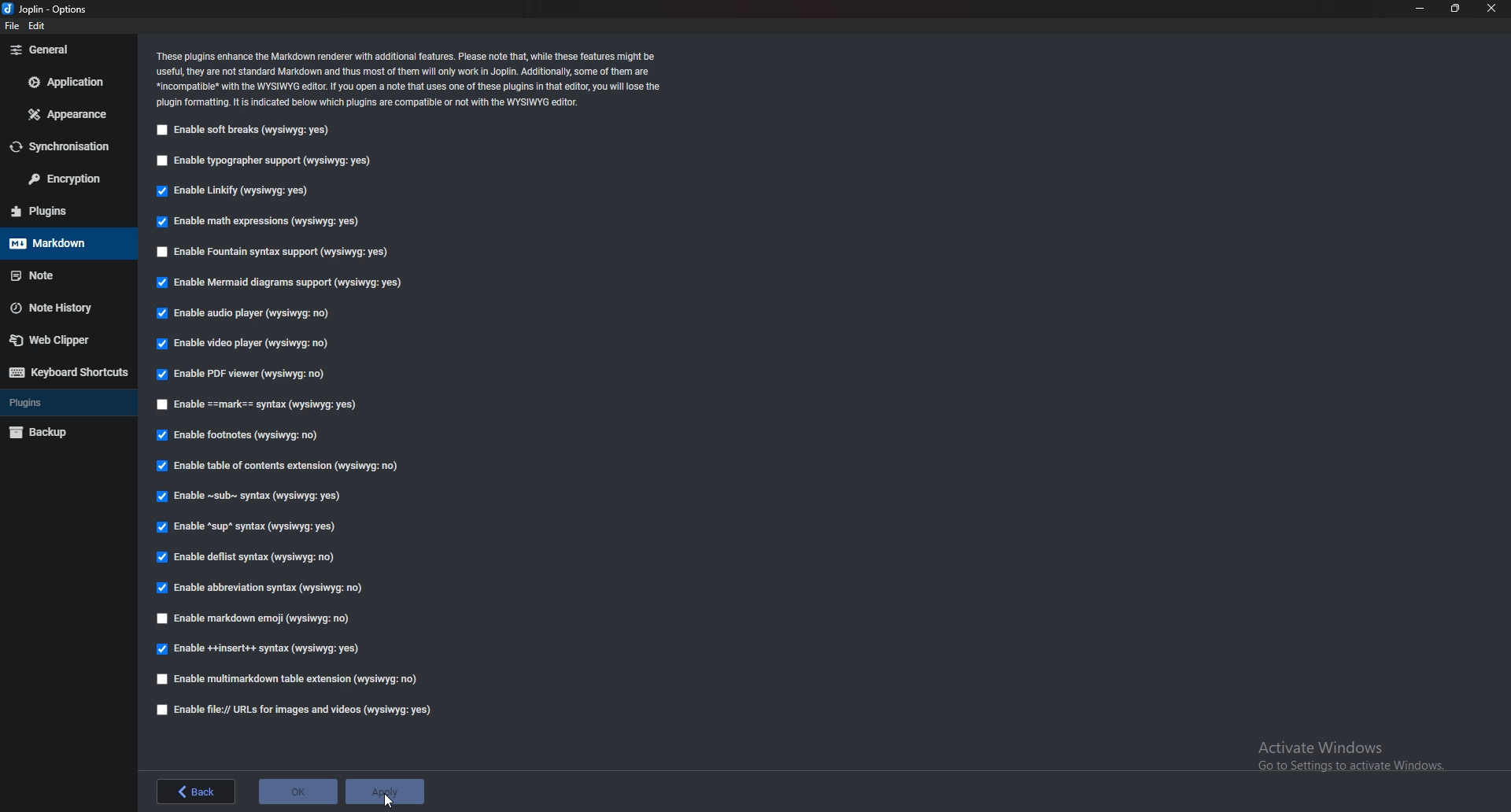  What do you see at coordinates (242, 436) in the screenshot?
I see `Enable footnotes` at bounding box center [242, 436].